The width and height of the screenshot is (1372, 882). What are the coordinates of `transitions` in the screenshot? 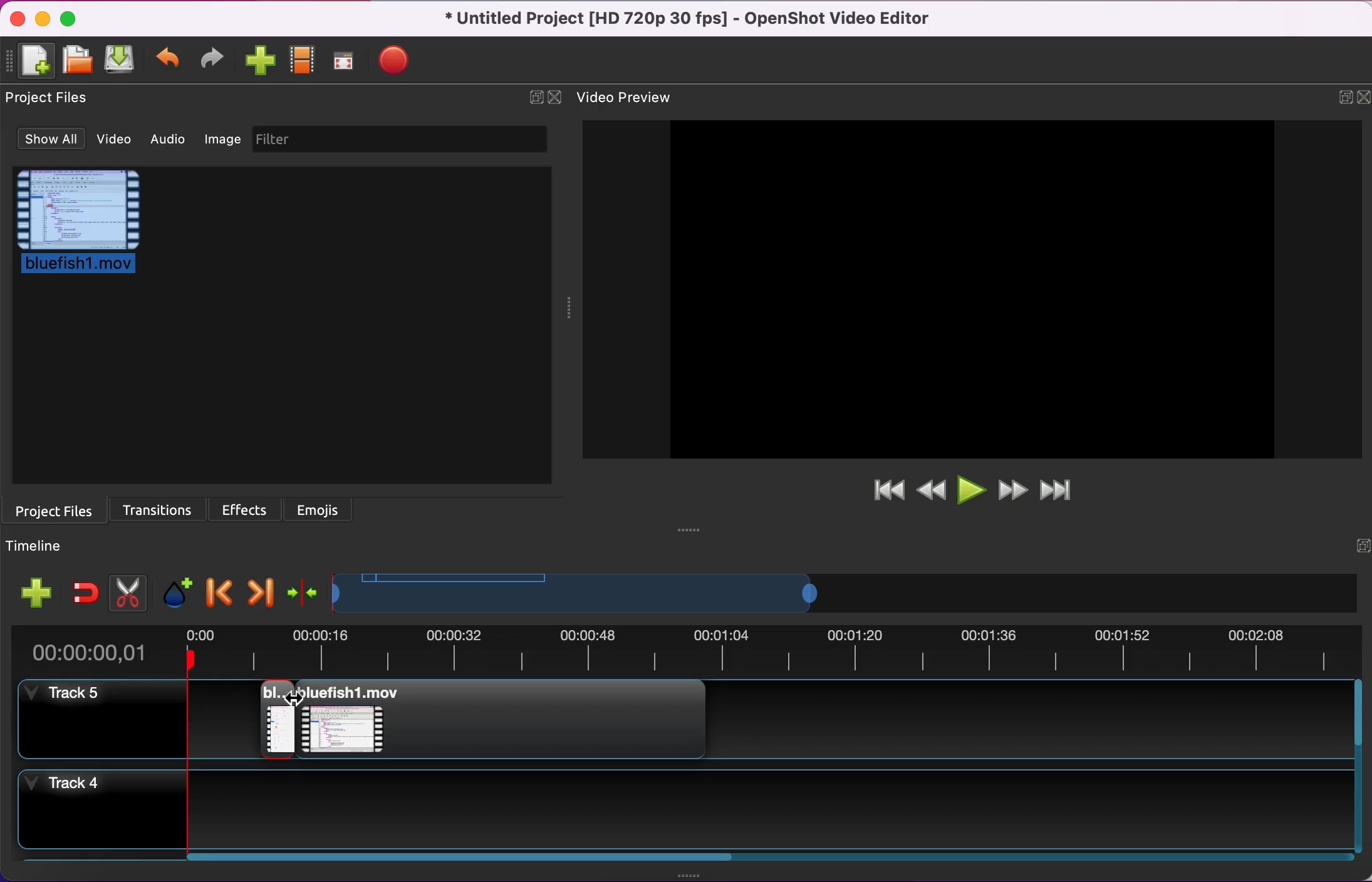 It's located at (156, 509).